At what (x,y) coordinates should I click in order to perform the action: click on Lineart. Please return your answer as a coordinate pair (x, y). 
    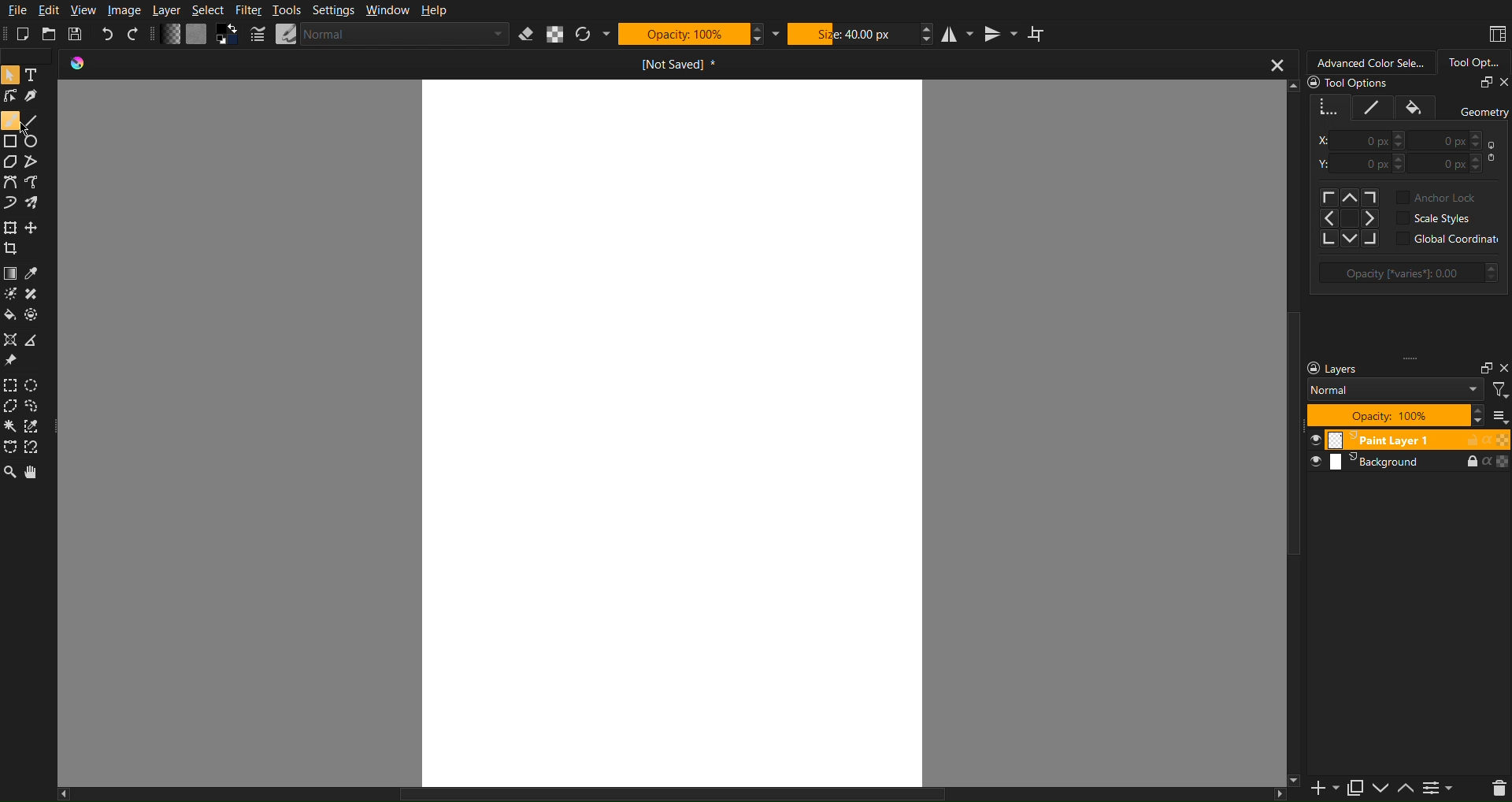
    Looking at the image, I should click on (37, 98).